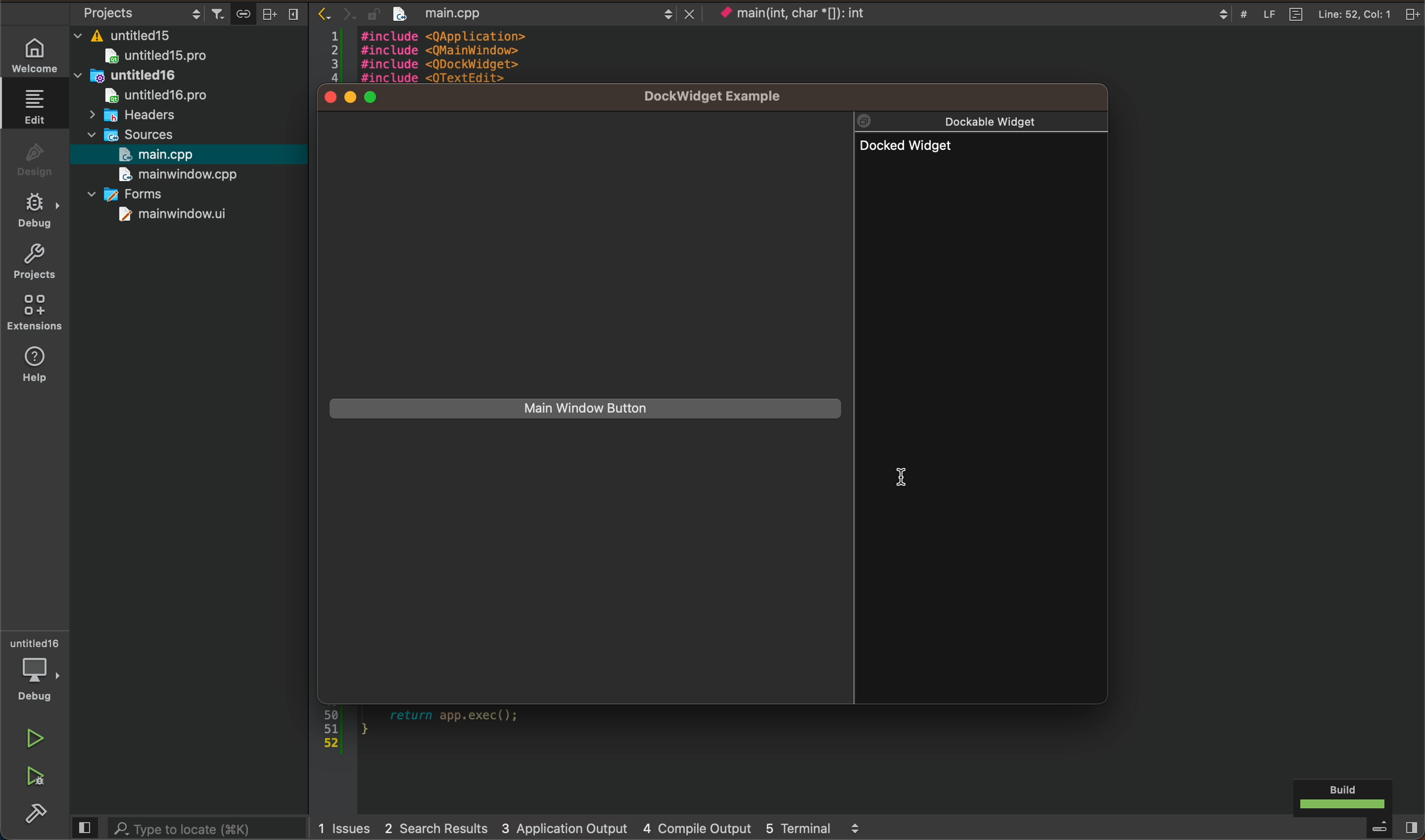 The width and height of the screenshot is (1425, 840). I want to click on file info, so click(1313, 14).